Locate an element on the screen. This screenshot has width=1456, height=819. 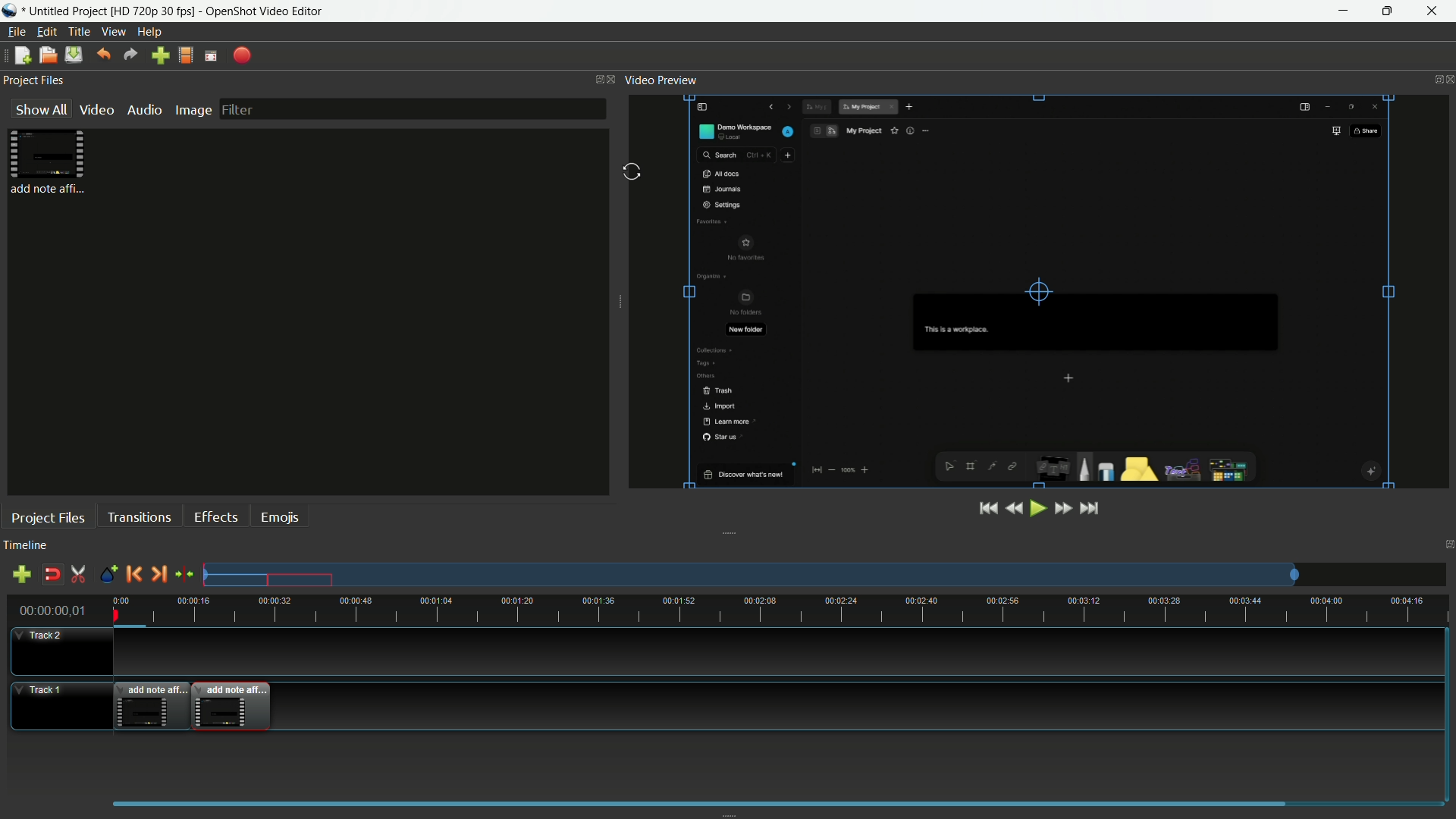
edit menu is located at coordinates (48, 32).